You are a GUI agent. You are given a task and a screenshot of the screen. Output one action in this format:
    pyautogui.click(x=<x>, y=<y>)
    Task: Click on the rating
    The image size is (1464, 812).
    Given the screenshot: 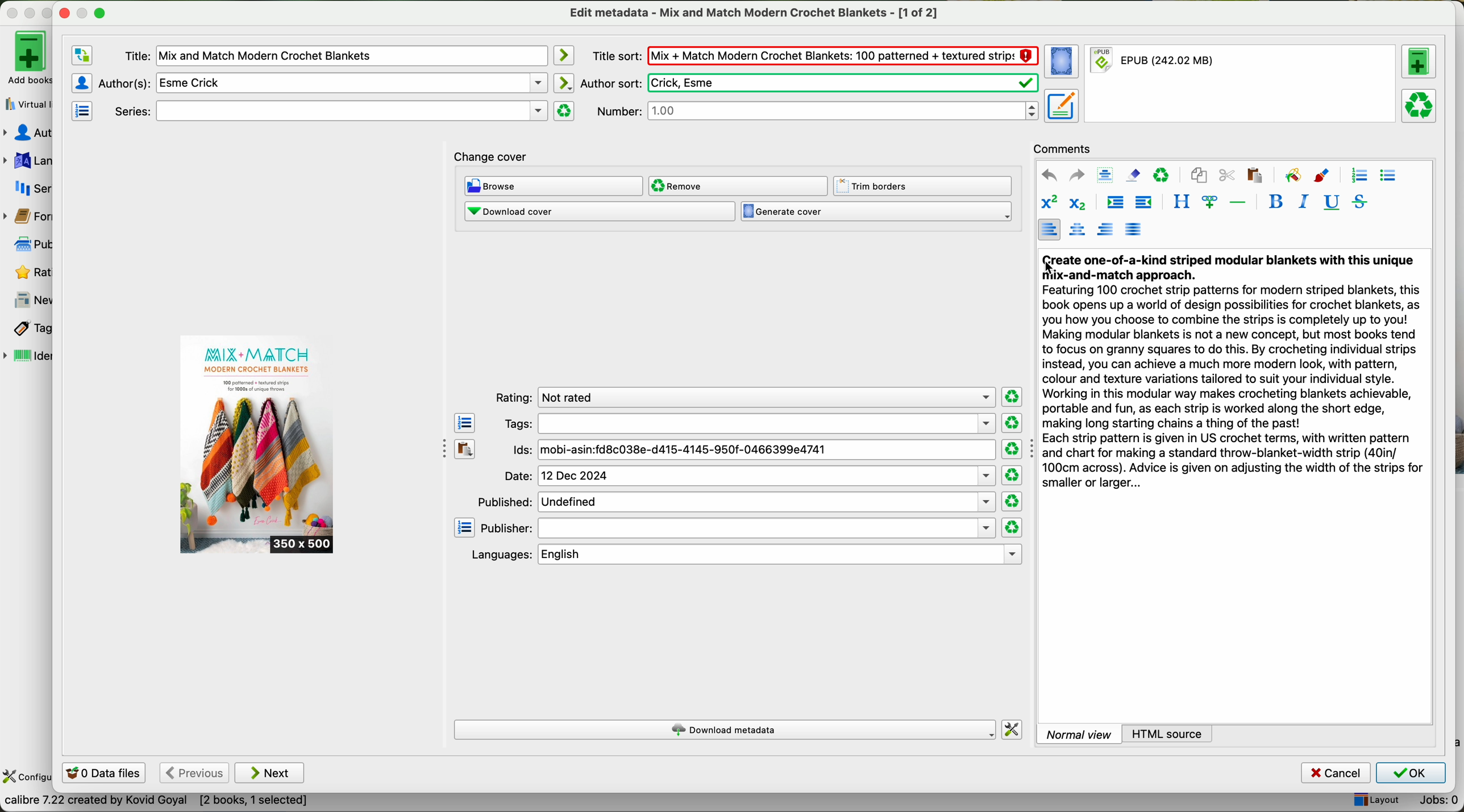 What is the action you would take?
    pyautogui.click(x=742, y=398)
    